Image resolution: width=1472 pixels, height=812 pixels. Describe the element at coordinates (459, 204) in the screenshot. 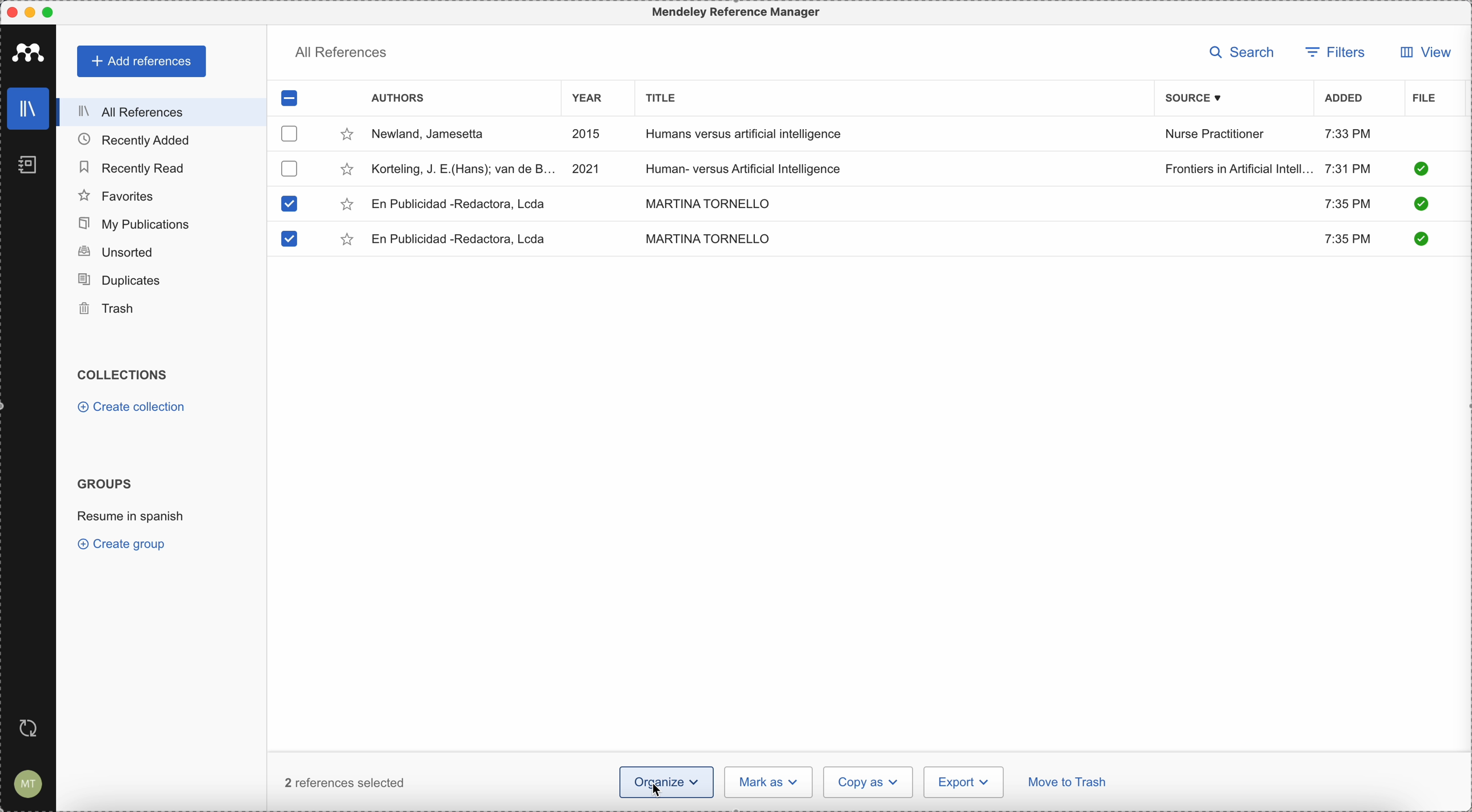

I see `En Publicidad-Redactora, Lcda` at that location.